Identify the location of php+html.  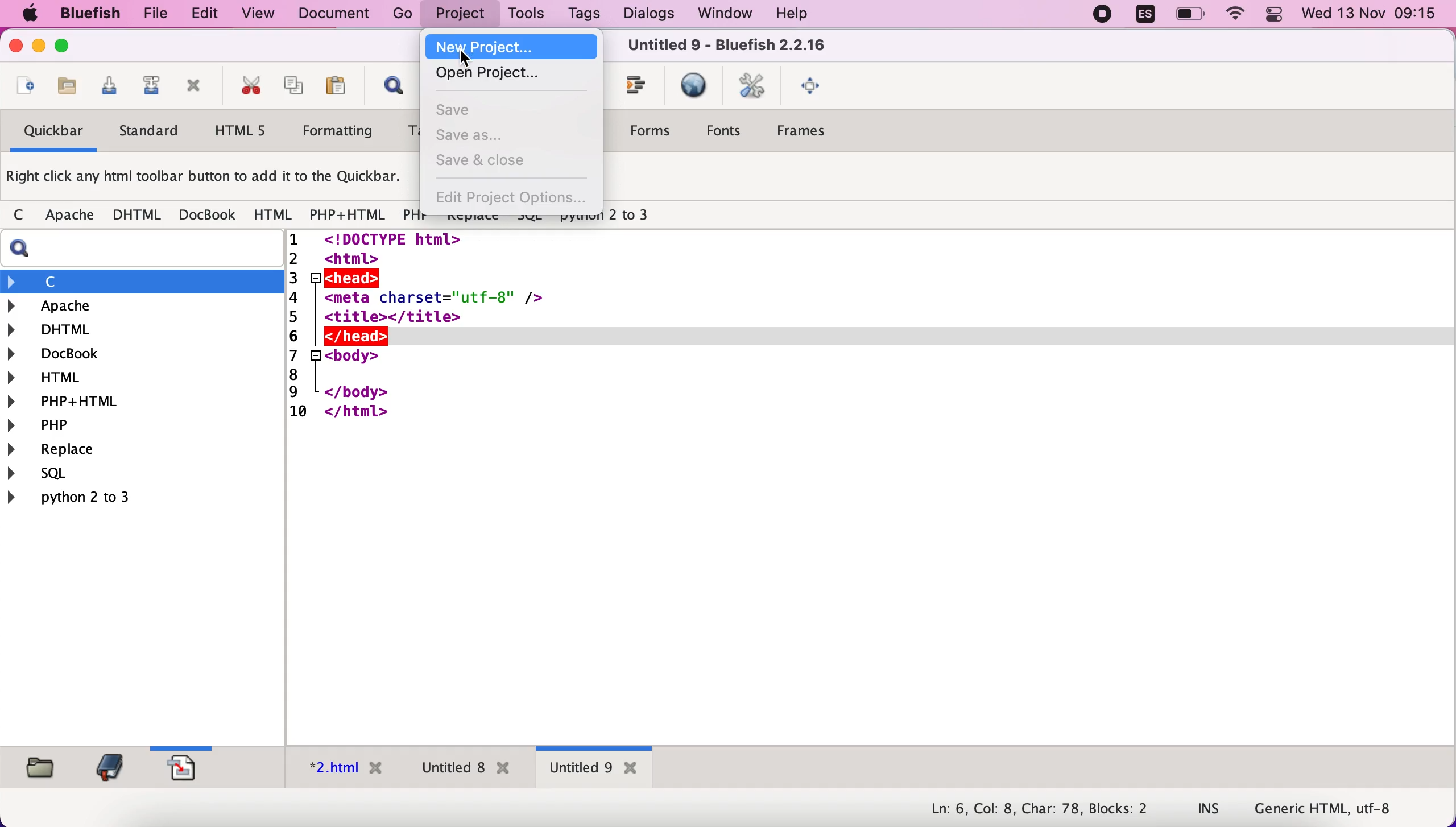
(347, 215).